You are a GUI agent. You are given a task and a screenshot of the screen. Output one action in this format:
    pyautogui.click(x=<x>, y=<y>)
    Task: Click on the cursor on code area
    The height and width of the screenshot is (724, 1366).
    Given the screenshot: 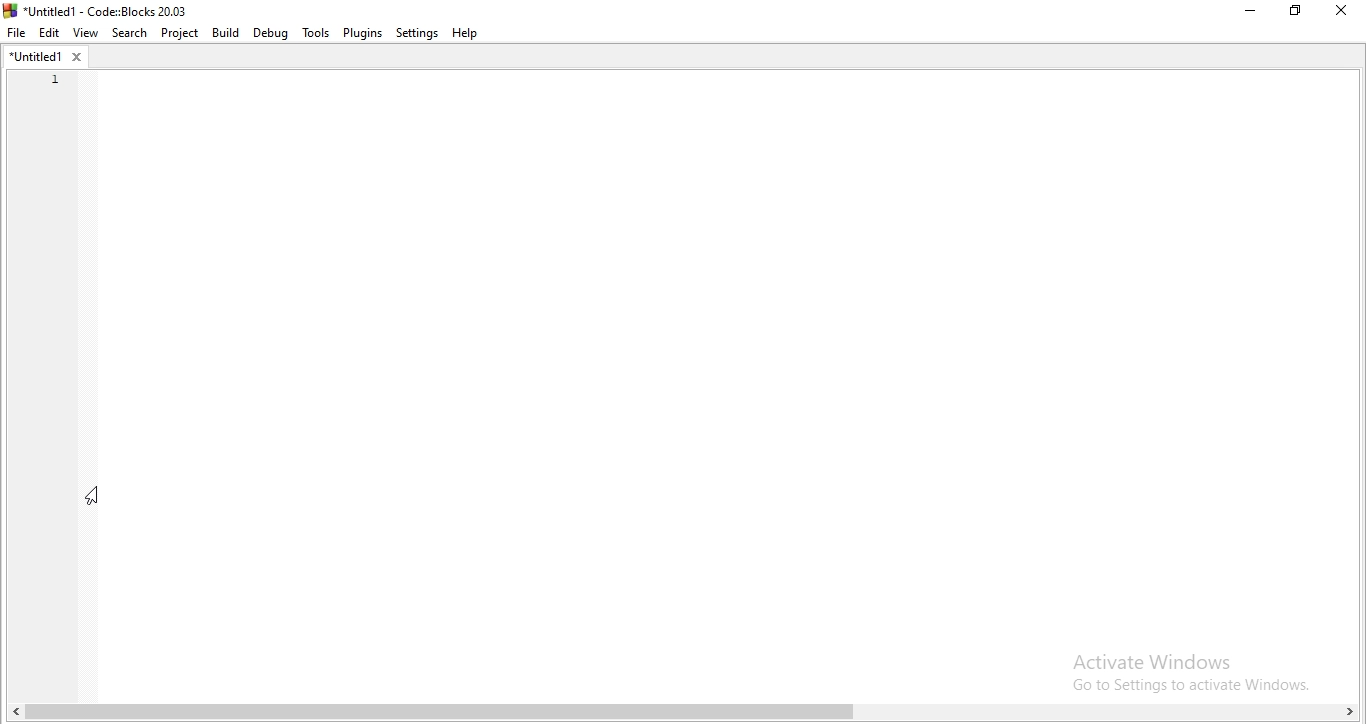 What is the action you would take?
    pyautogui.click(x=92, y=497)
    